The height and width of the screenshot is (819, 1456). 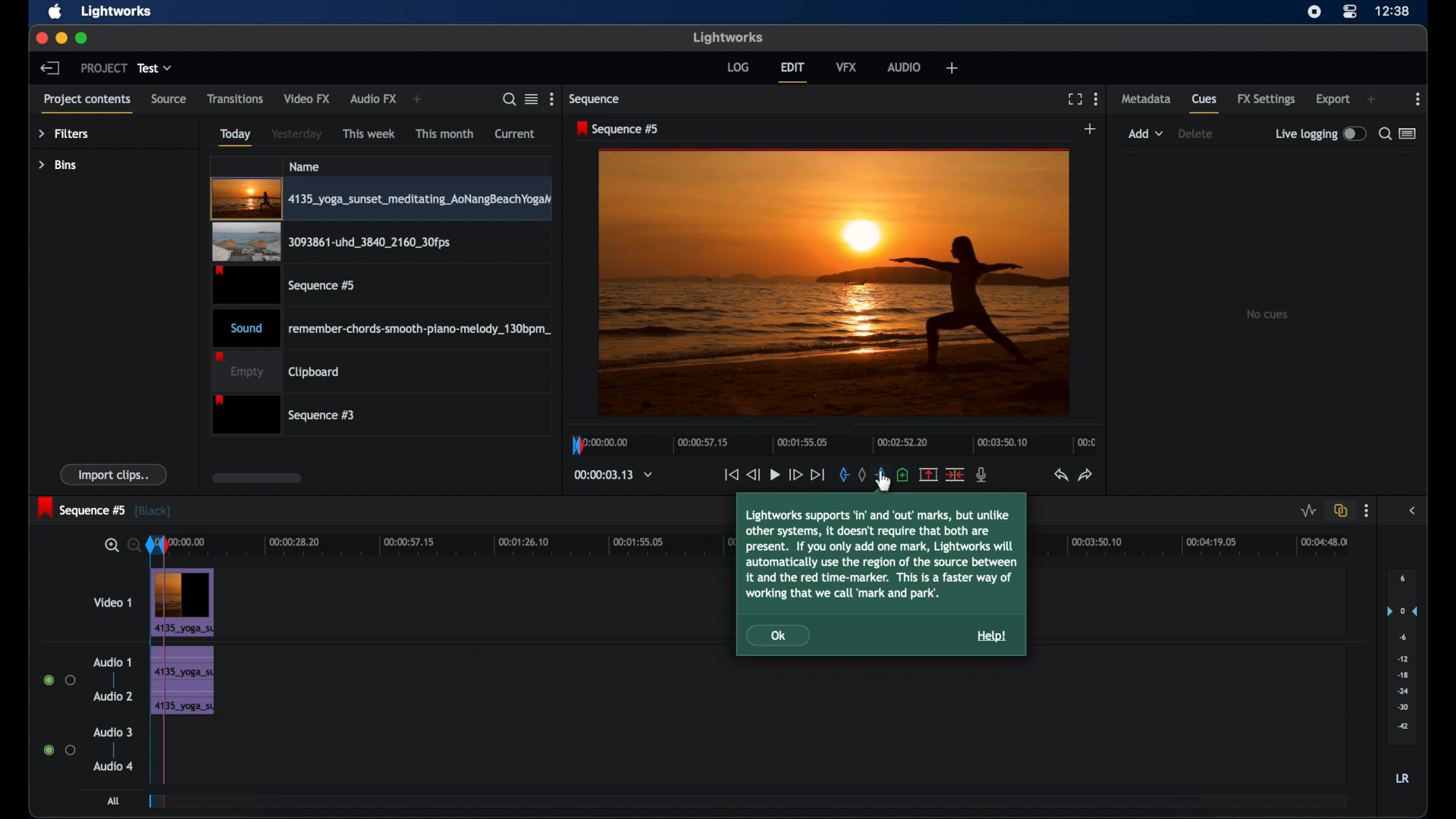 What do you see at coordinates (597, 99) in the screenshot?
I see `sequence` at bounding box center [597, 99].